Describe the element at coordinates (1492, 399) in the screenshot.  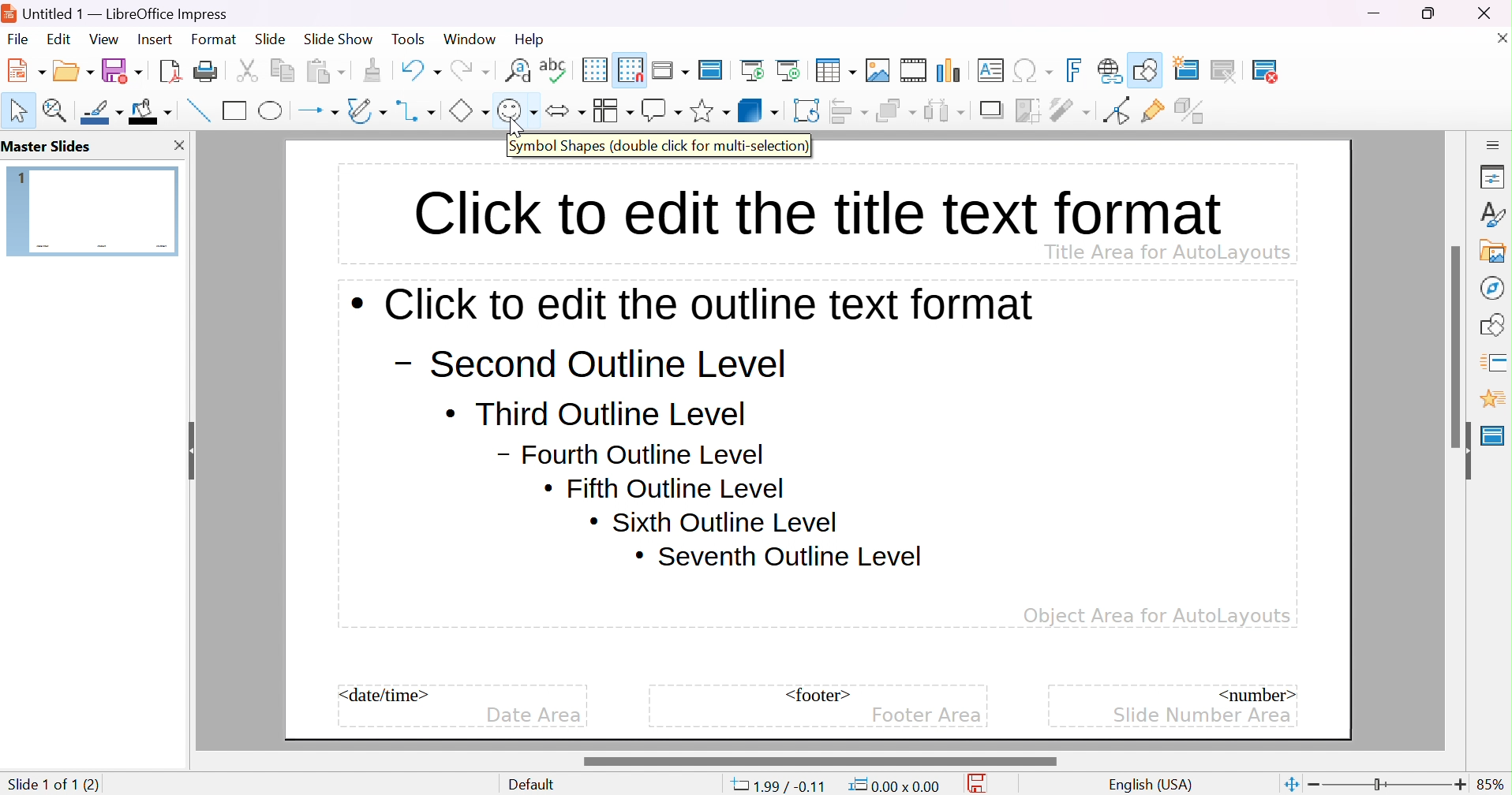
I see `animation` at that location.